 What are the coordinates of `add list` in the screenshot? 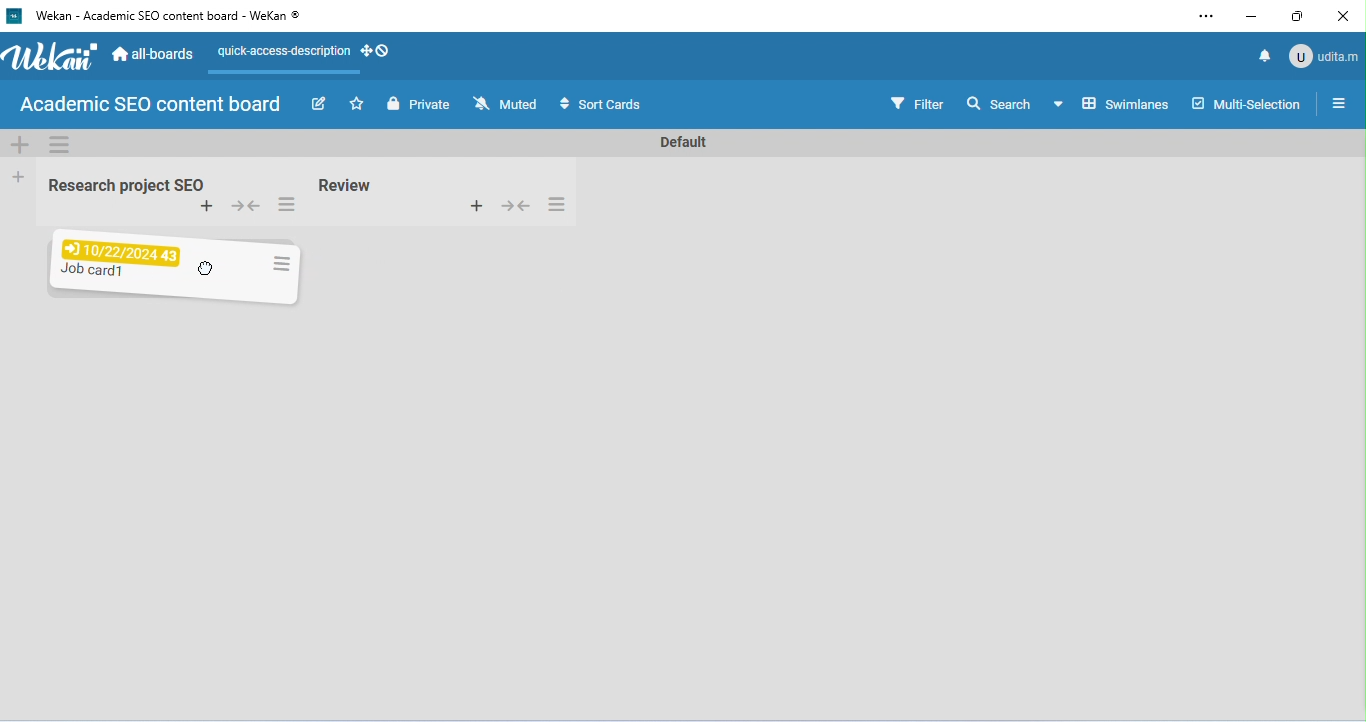 It's located at (20, 176).